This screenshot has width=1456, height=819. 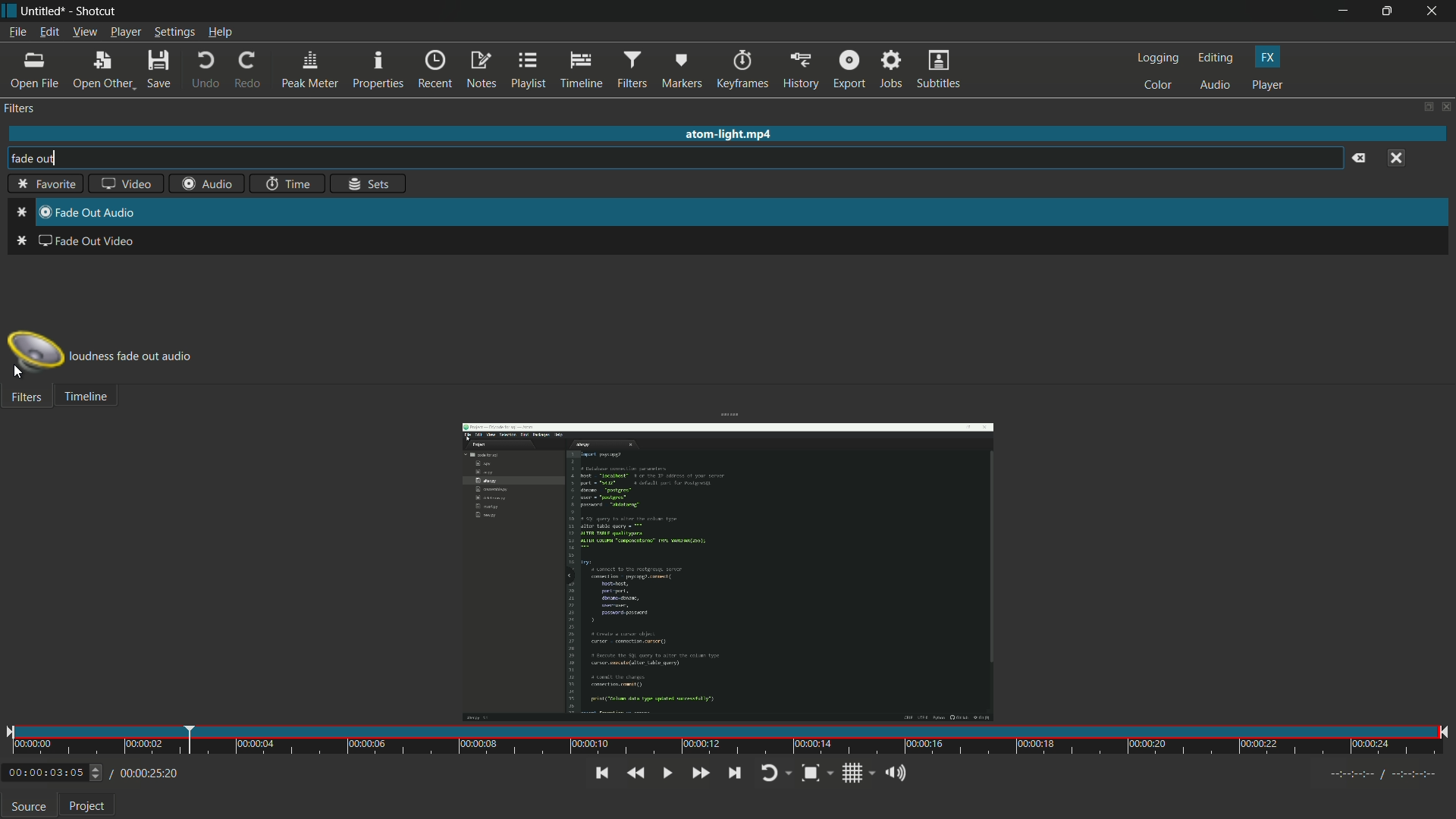 What do you see at coordinates (98, 773) in the screenshot?
I see `up and down` at bounding box center [98, 773].